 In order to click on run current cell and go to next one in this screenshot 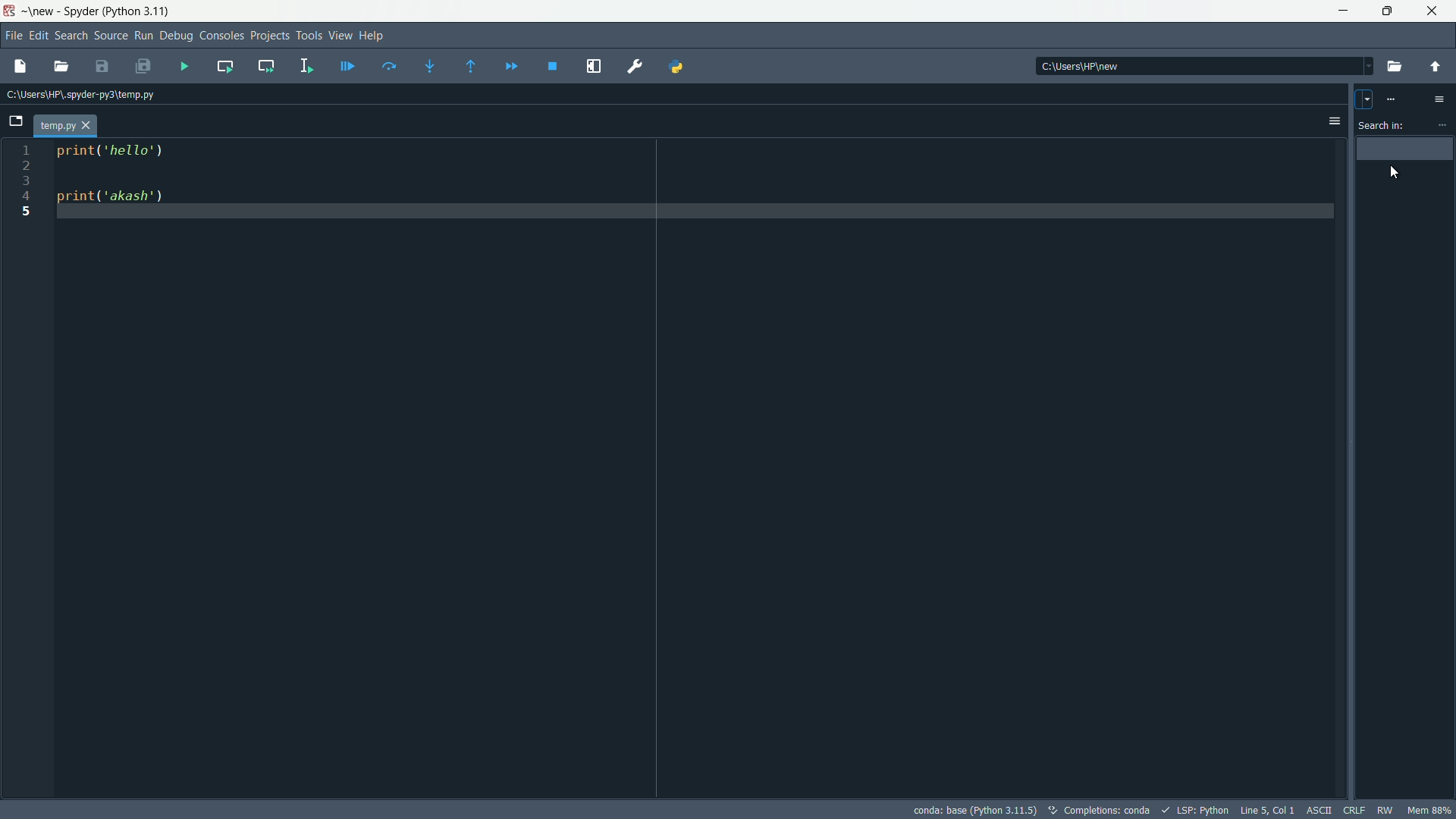, I will do `click(267, 66)`.